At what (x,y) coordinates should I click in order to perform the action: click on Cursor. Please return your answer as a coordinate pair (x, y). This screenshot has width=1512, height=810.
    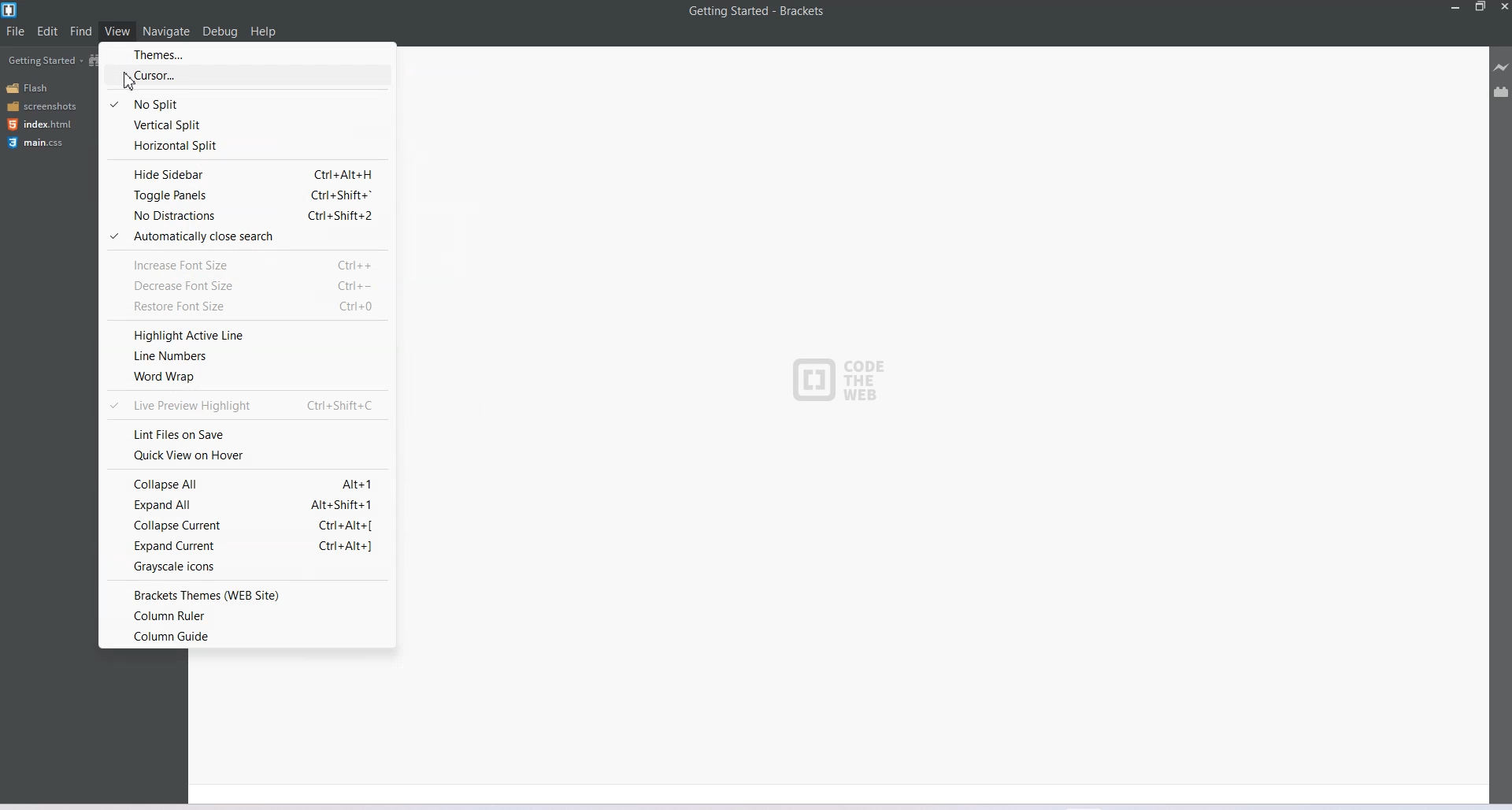
    Looking at the image, I should click on (246, 78).